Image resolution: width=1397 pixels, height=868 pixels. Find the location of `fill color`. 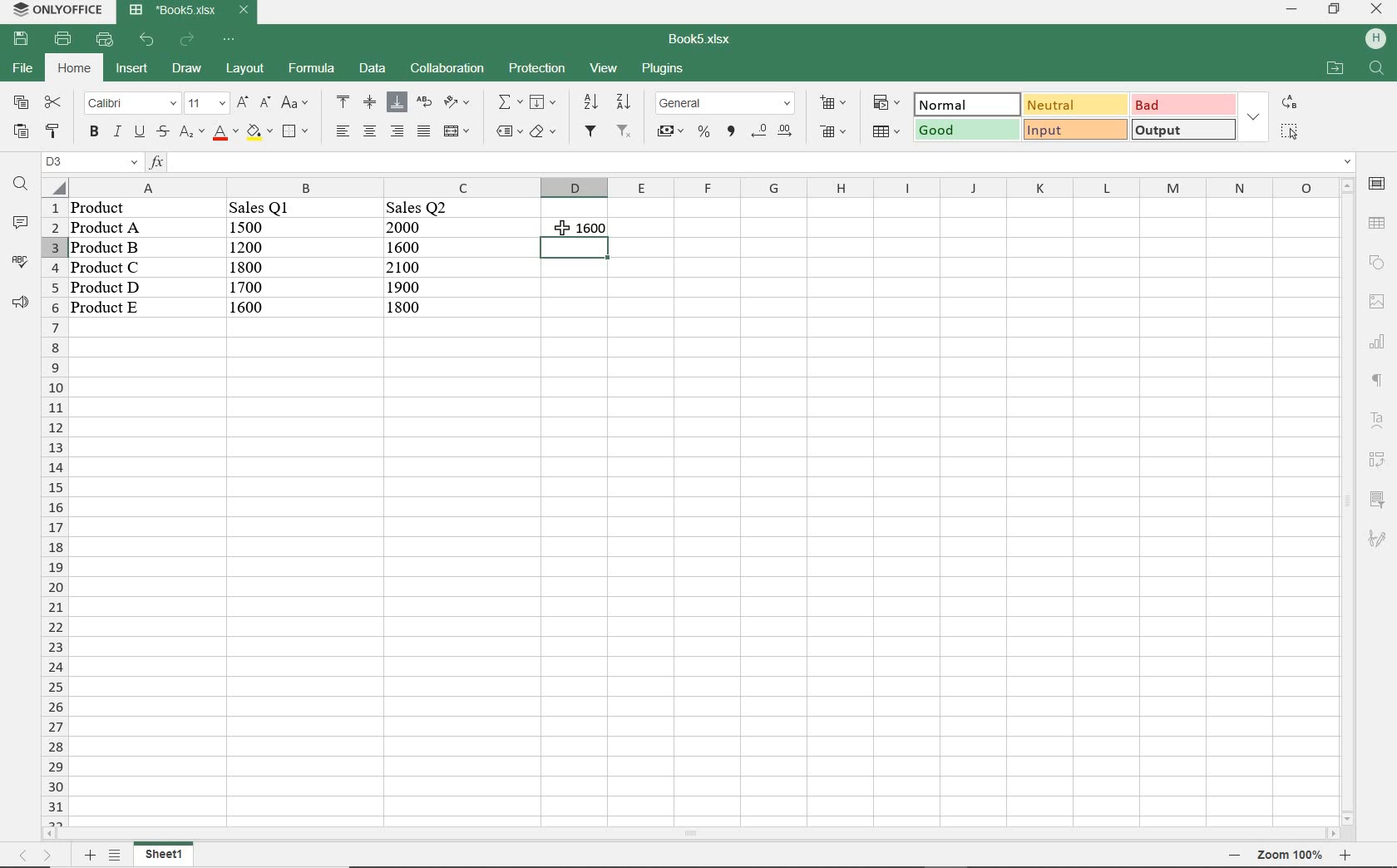

fill color is located at coordinates (258, 131).